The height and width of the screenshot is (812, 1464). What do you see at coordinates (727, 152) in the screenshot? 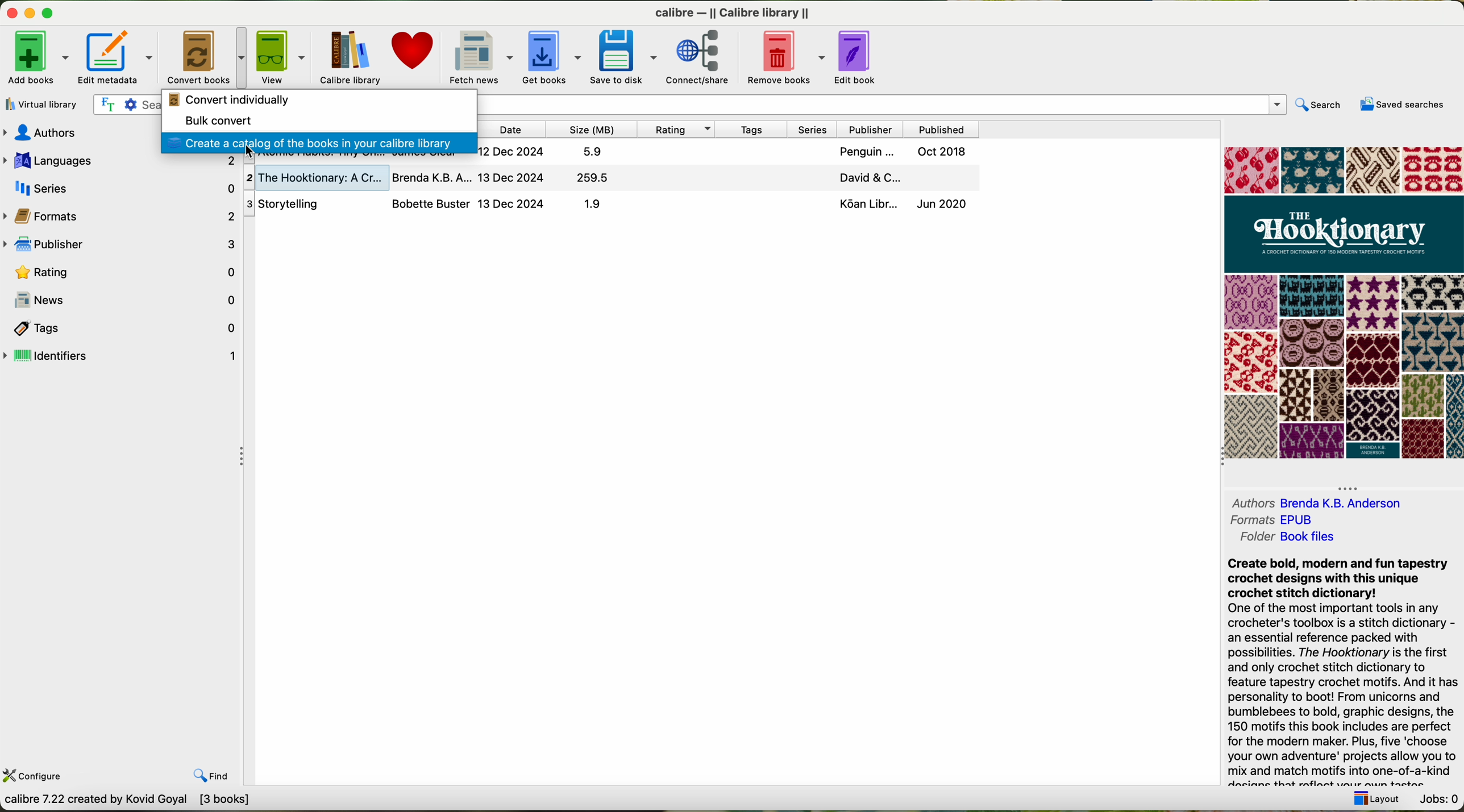
I see `Atomic Habits book details` at bounding box center [727, 152].